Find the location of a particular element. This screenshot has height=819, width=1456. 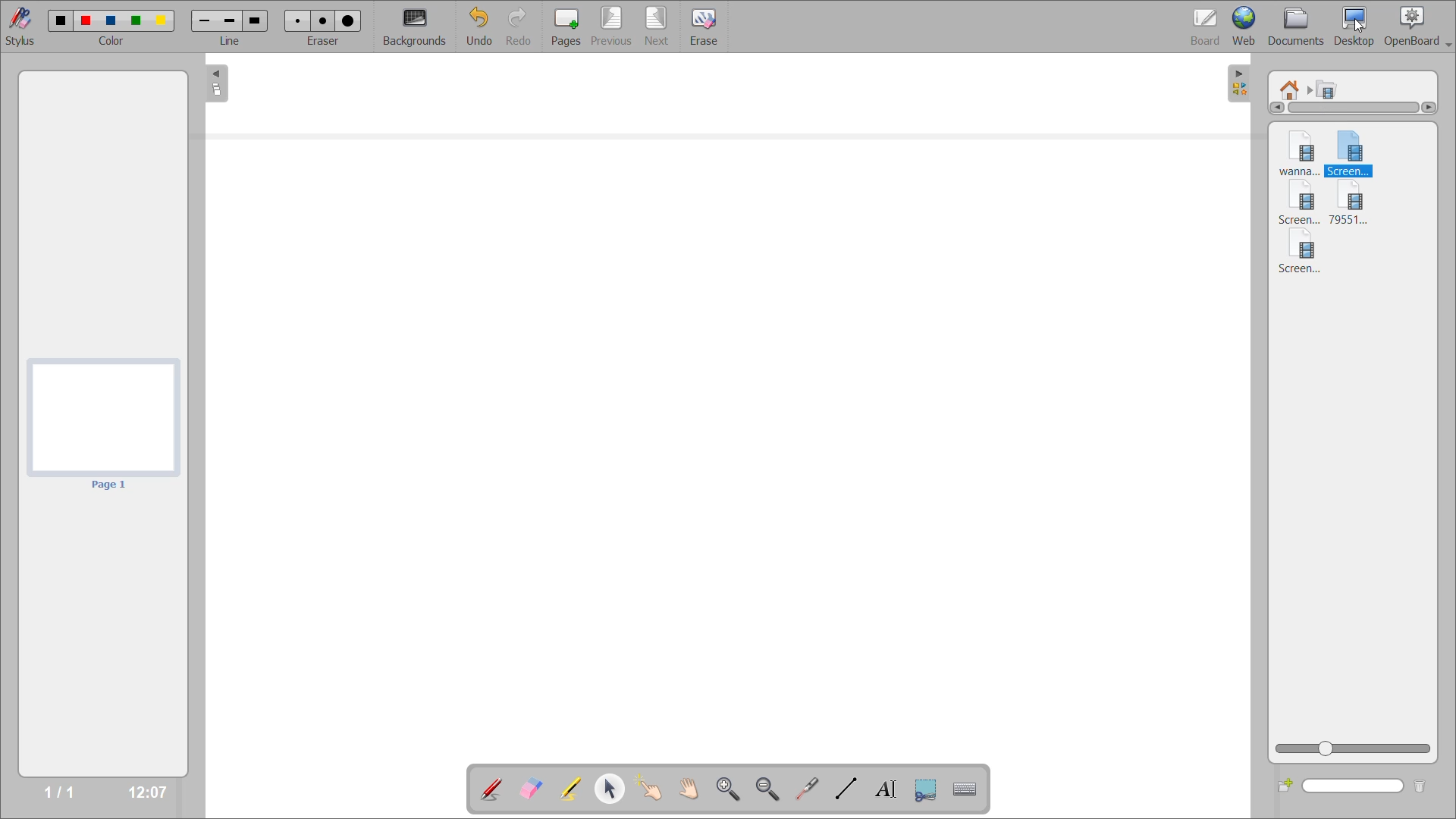

annotate document is located at coordinates (486, 789).